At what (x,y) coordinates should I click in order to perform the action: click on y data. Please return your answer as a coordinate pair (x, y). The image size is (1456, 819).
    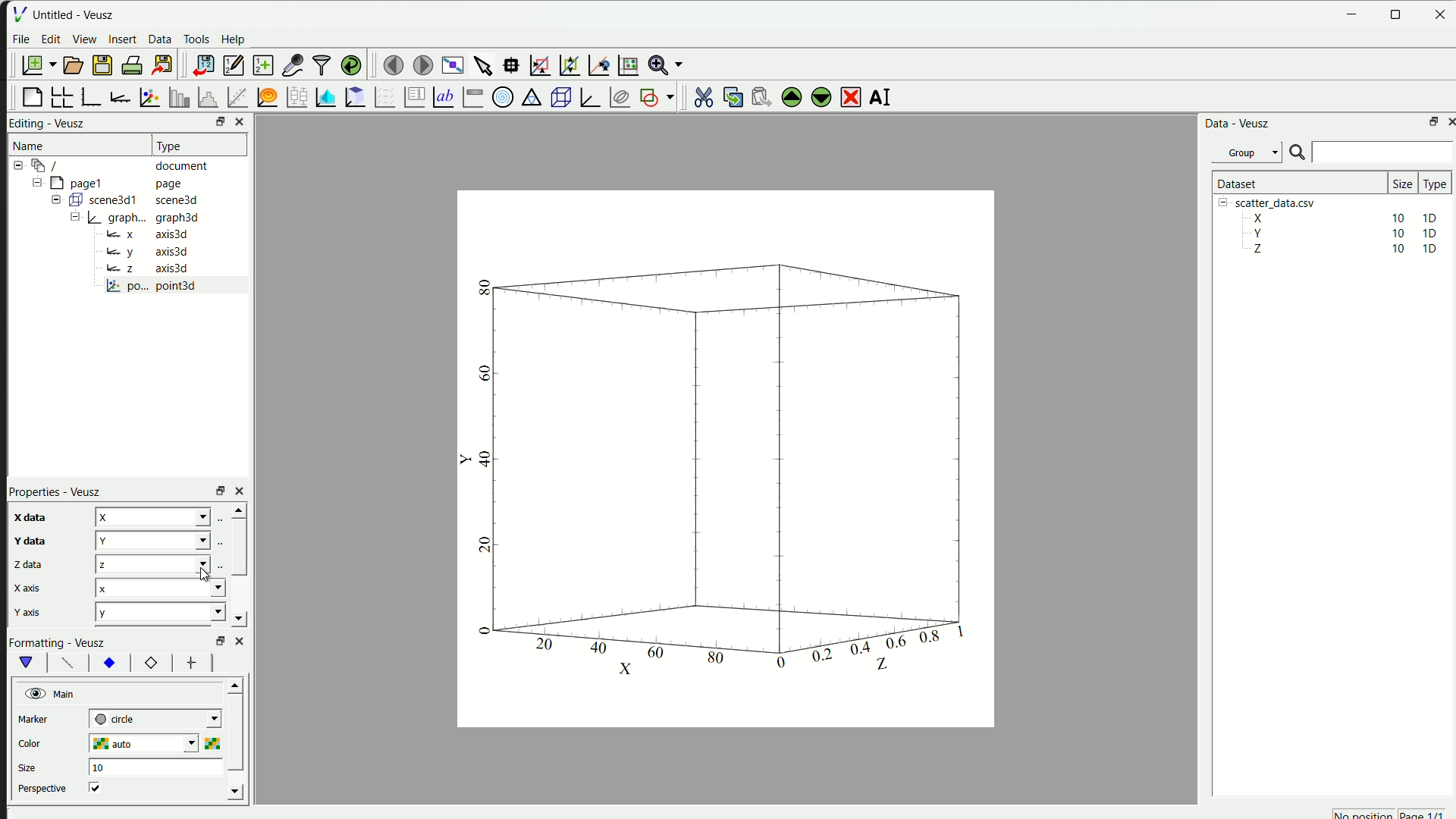
    Looking at the image, I should click on (21, 539).